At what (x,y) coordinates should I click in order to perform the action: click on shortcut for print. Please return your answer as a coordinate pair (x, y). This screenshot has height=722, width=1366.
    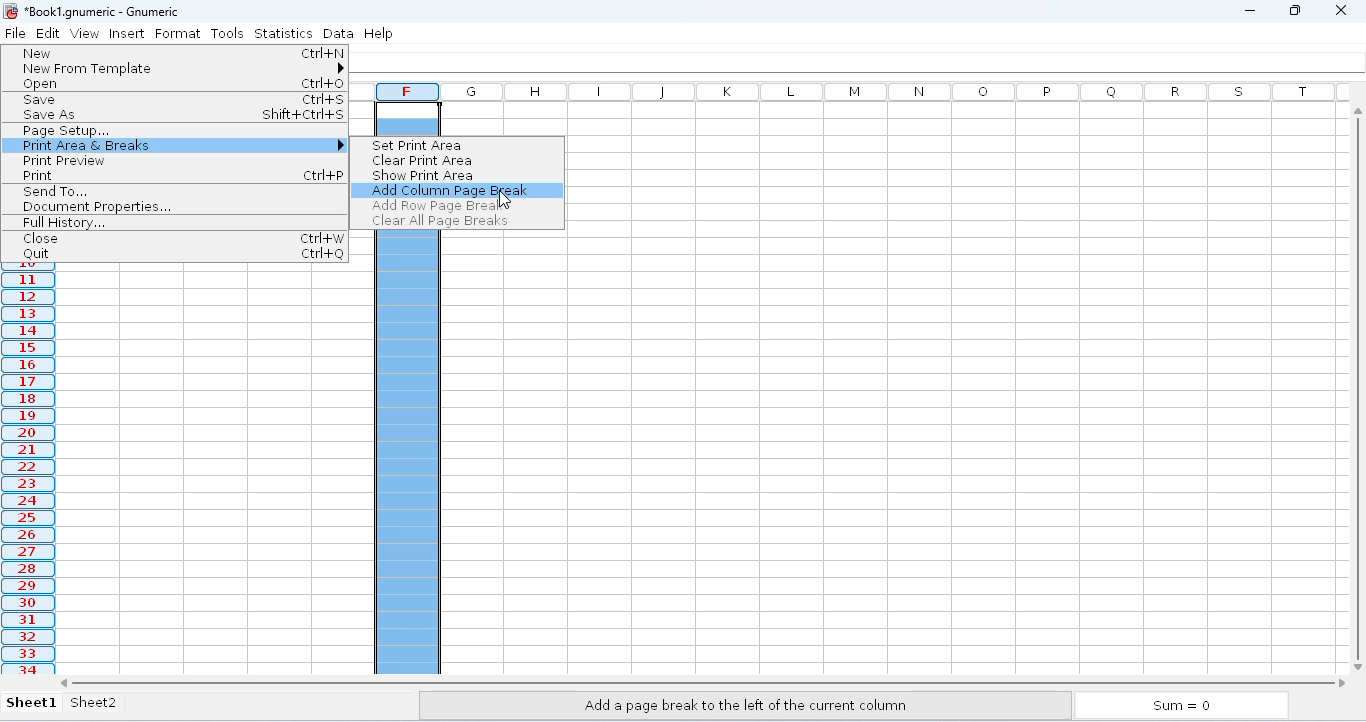
    Looking at the image, I should click on (324, 175).